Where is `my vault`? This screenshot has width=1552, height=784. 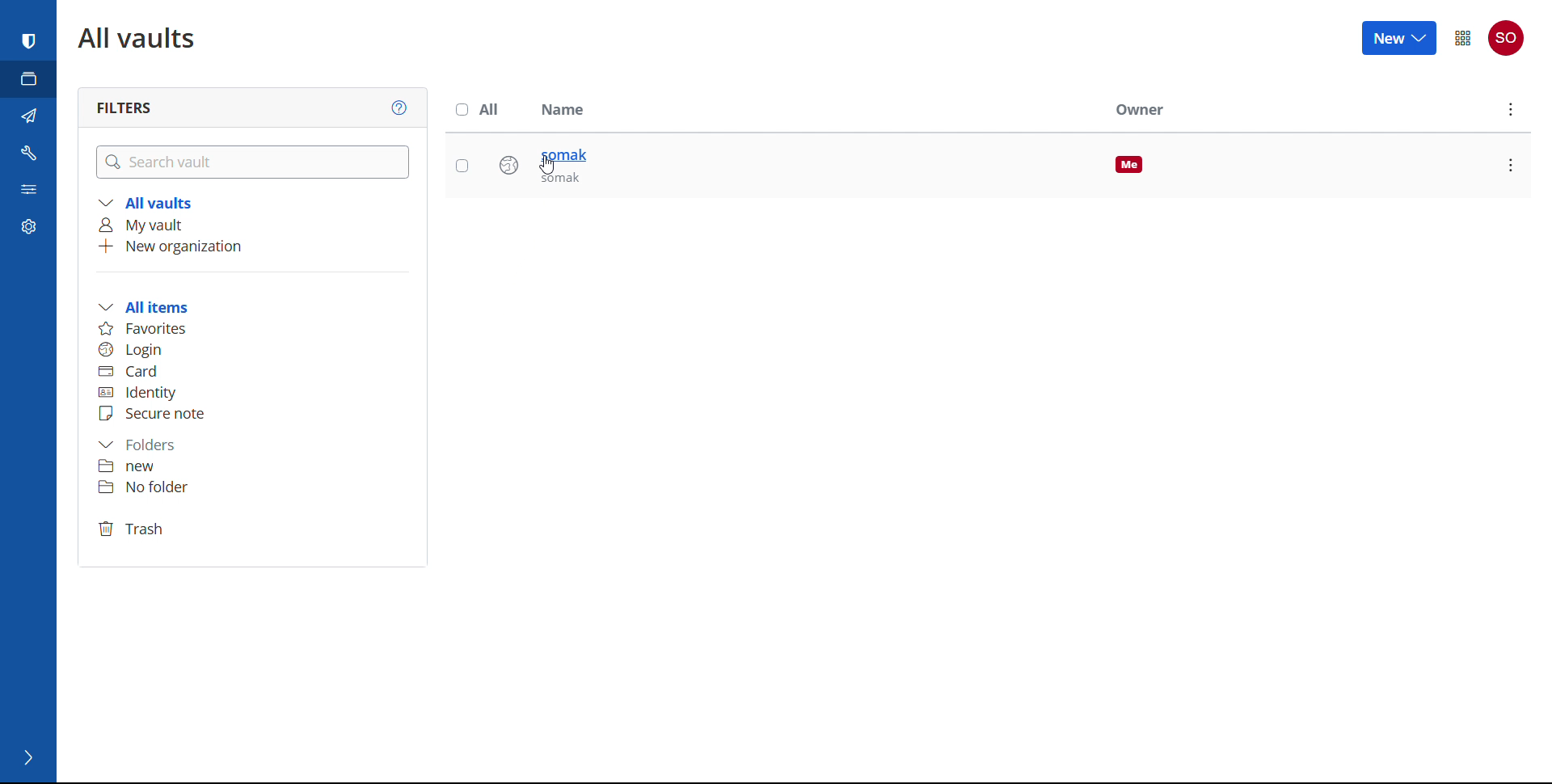
my vault is located at coordinates (250, 226).